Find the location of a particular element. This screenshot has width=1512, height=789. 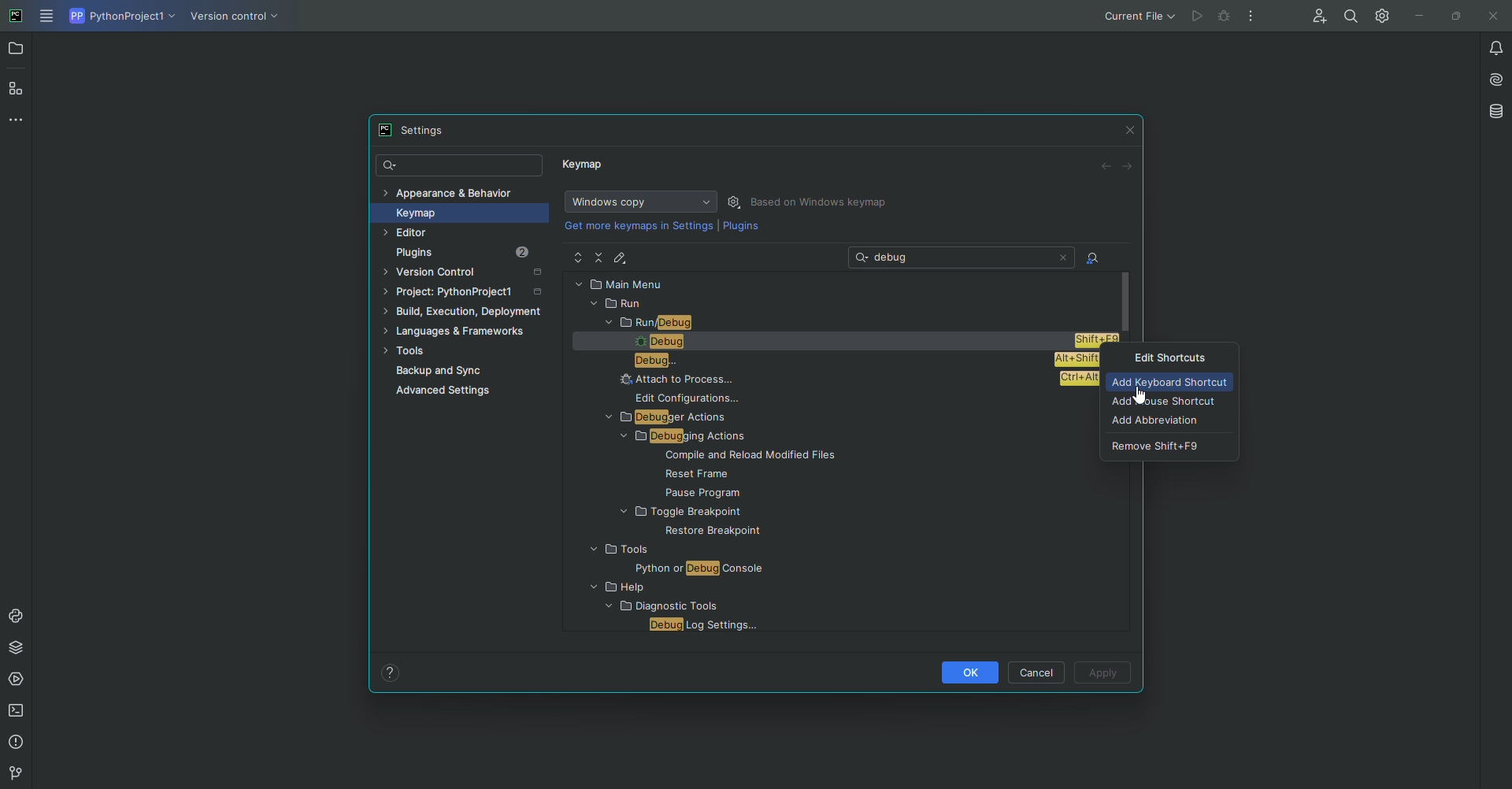

scroll bar is located at coordinates (1128, 299).